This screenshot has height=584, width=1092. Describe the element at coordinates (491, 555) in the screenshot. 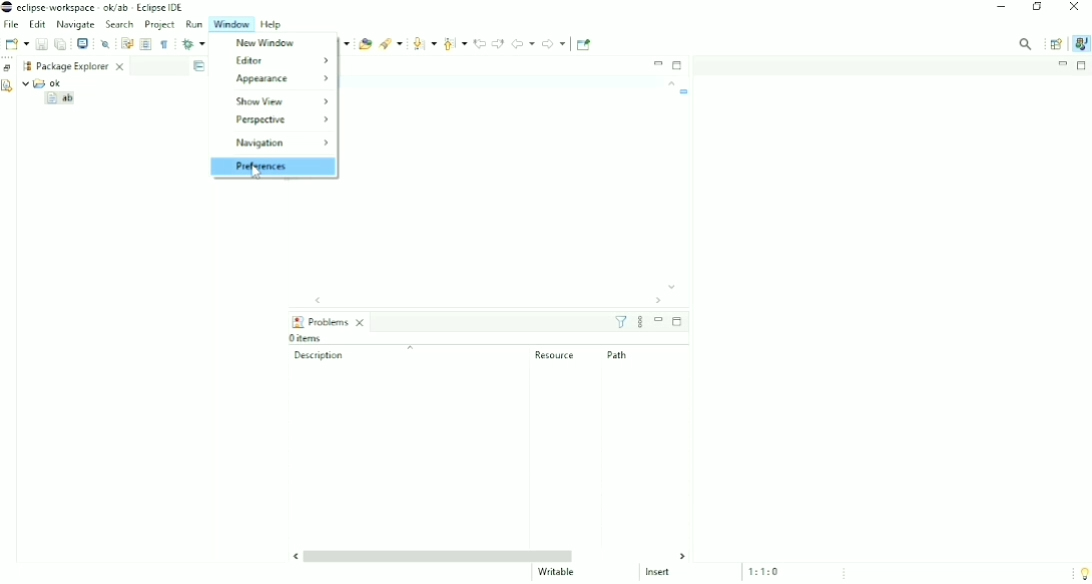

I see `Horizontal scrollbar` at that location.